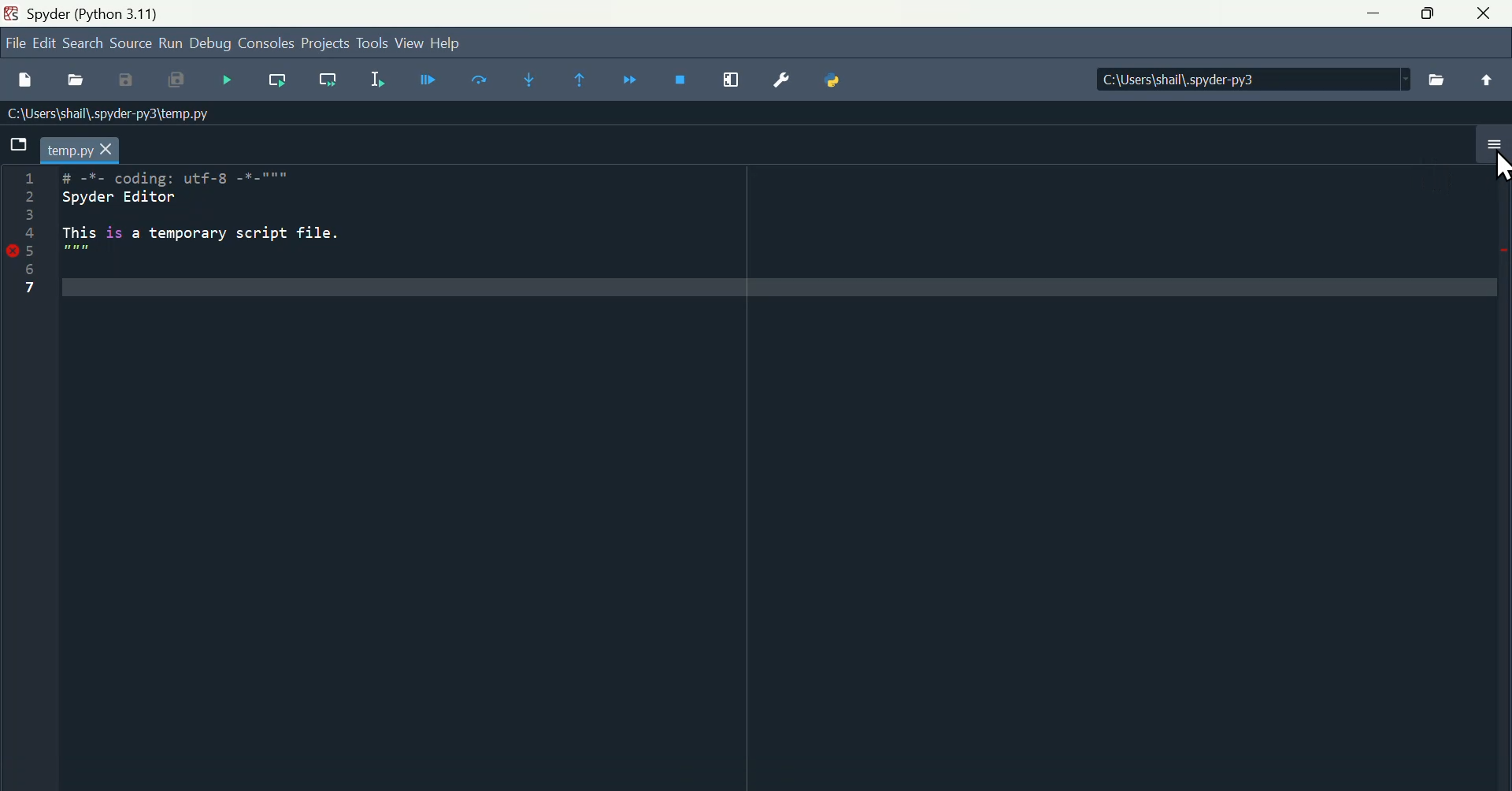  Describe the element at coordinates (1437, 80) in the screenshot. I see `File` at that location.